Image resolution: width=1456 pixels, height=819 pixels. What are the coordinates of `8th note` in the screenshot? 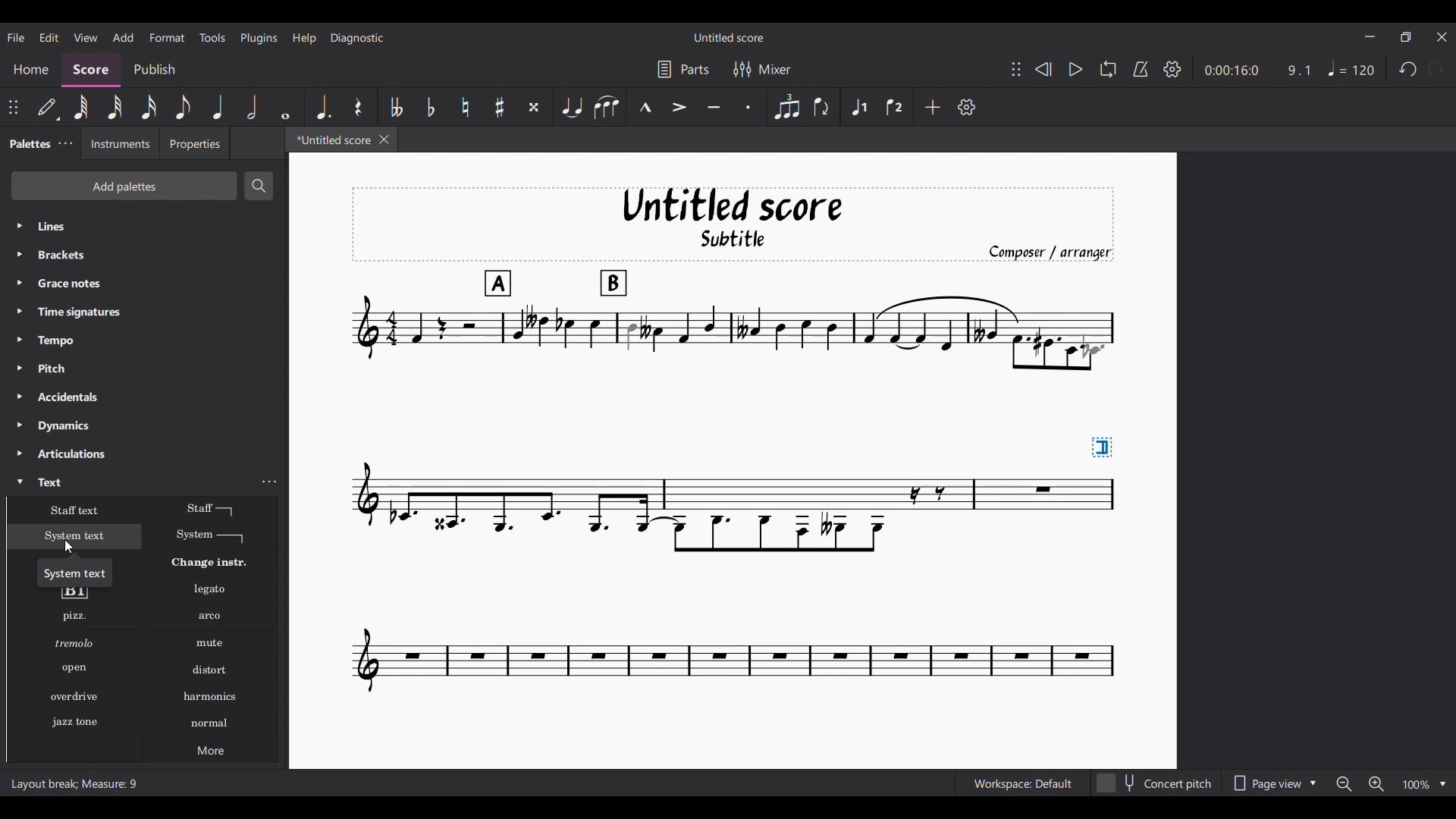 It's located at (183, 107).